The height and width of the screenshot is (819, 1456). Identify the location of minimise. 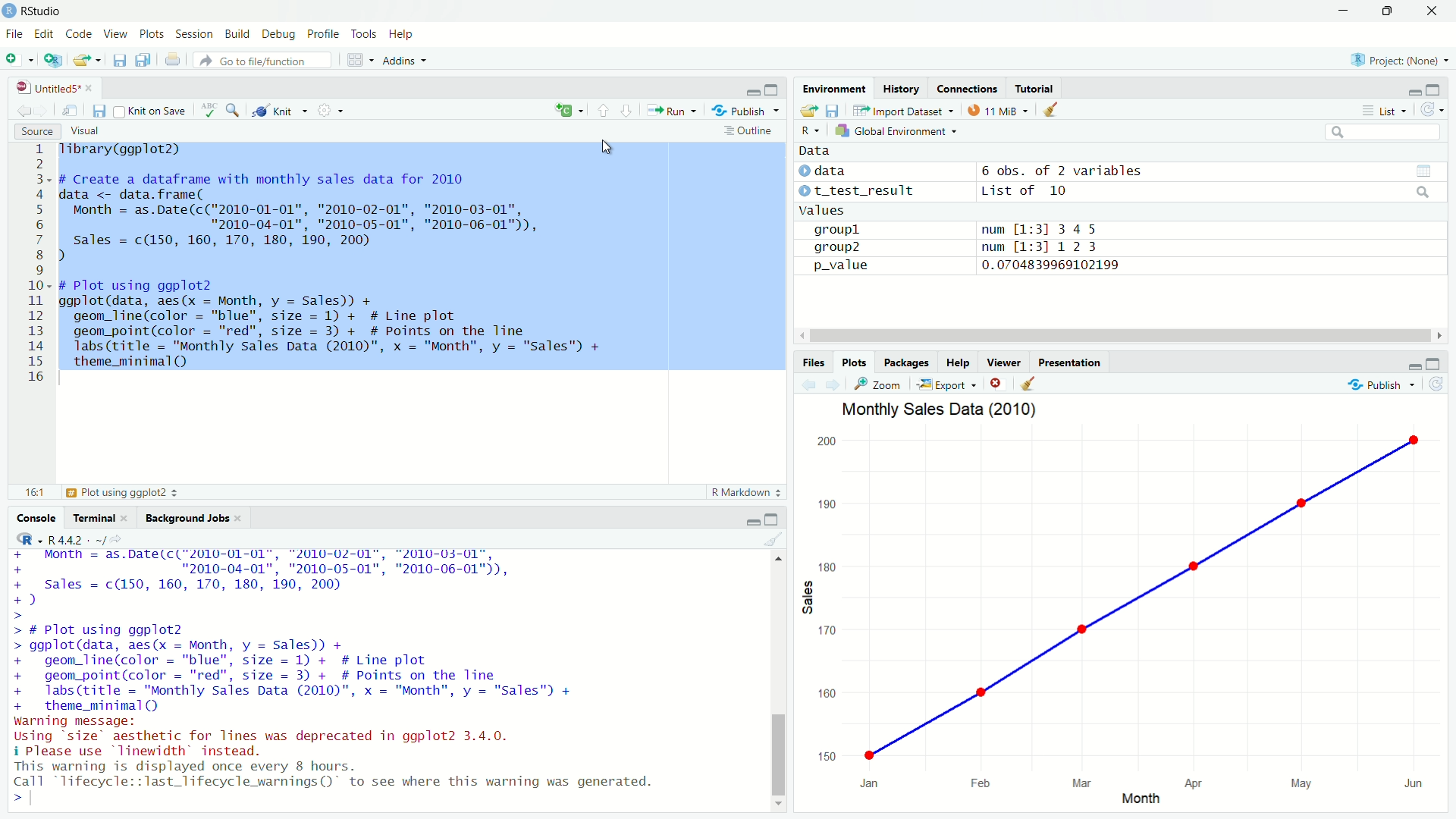
(1345, 11).